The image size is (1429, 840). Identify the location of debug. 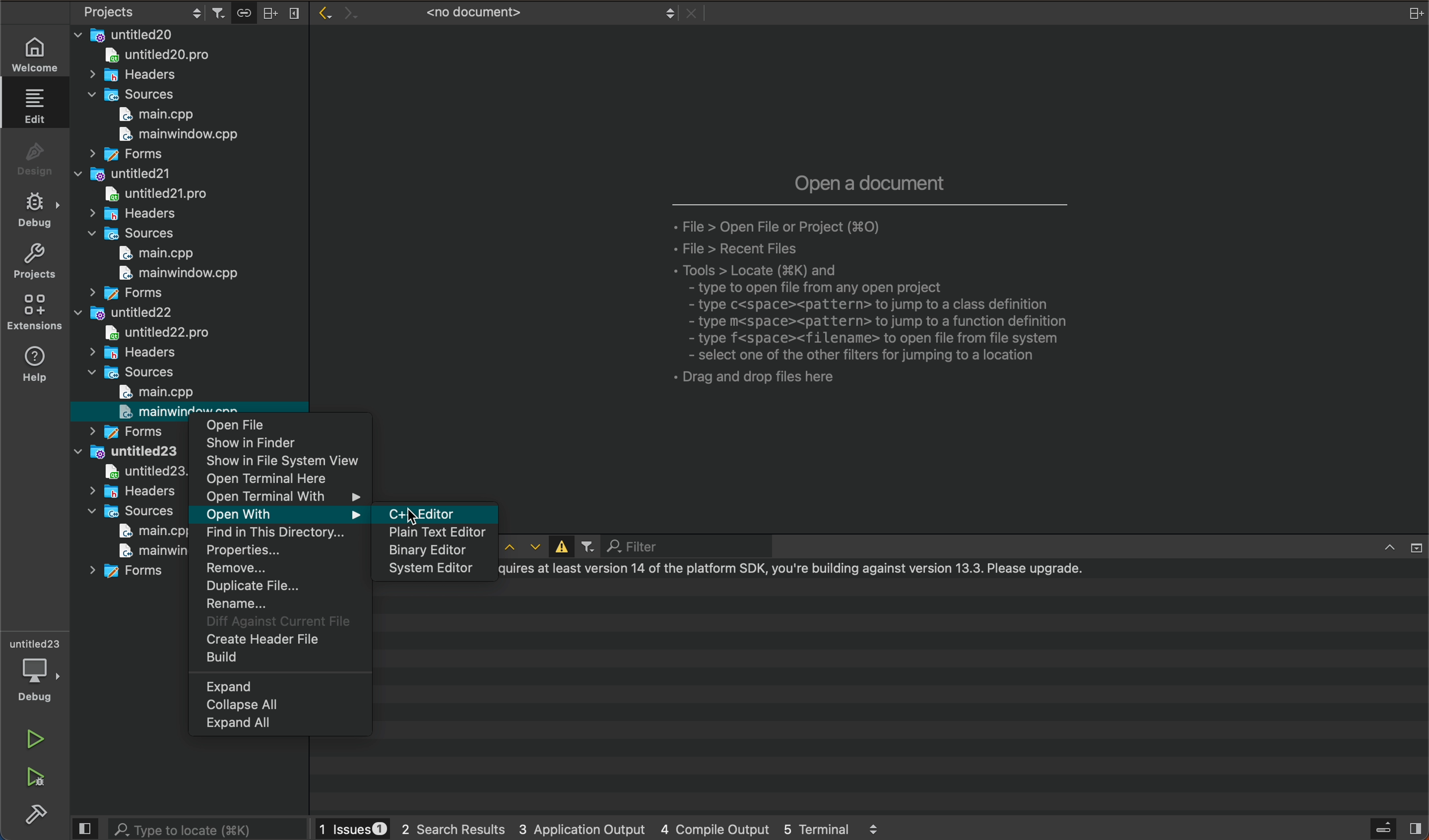
(34, 668).